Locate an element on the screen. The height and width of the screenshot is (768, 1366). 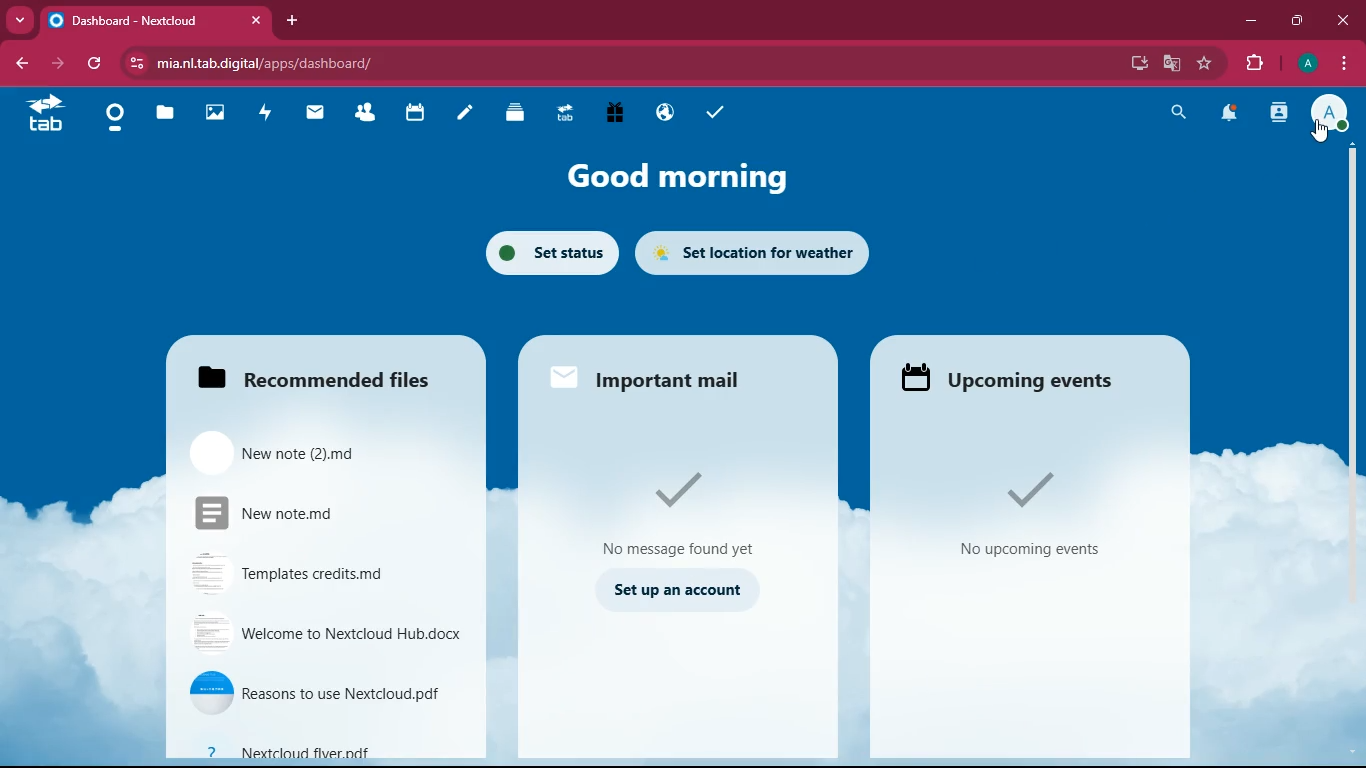
google translate is located at coordinates (1171, 61).